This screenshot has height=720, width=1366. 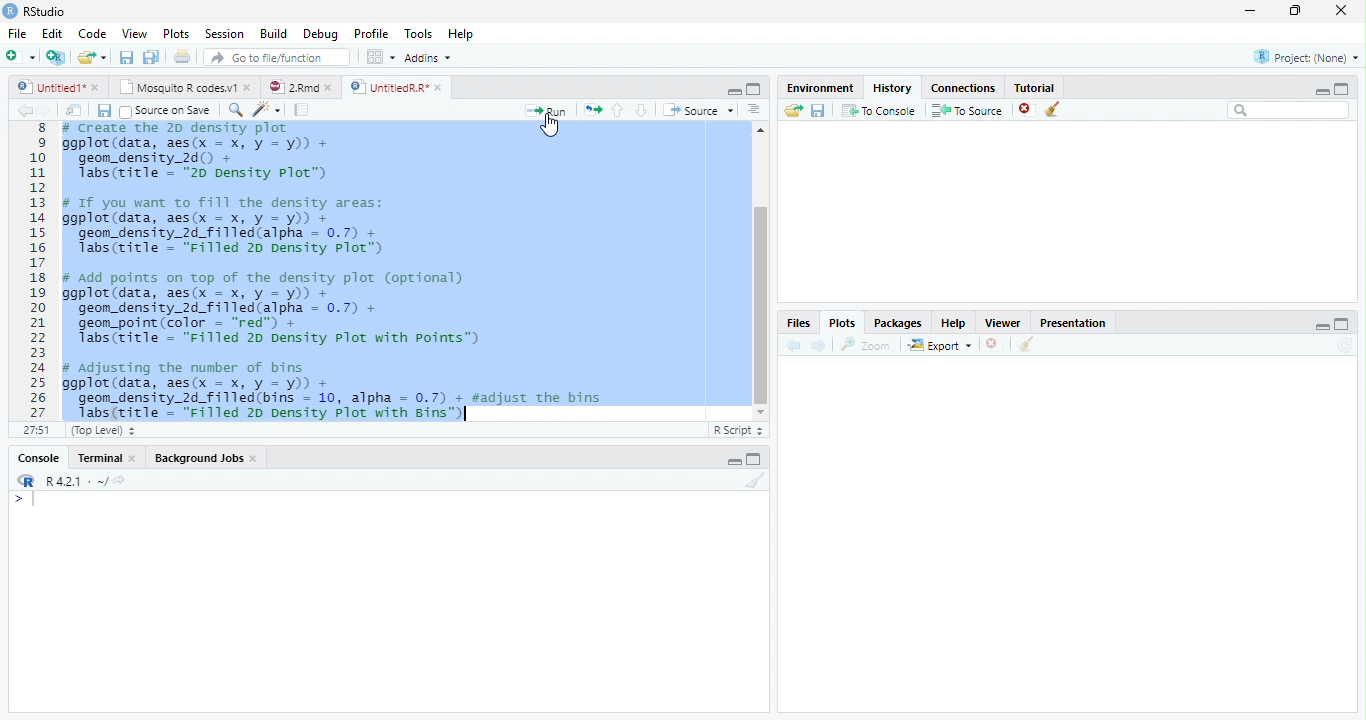 What do you see at coordinates (419, 34) in the screenshot?
I see `Tools` at bounding box center [419, 34].